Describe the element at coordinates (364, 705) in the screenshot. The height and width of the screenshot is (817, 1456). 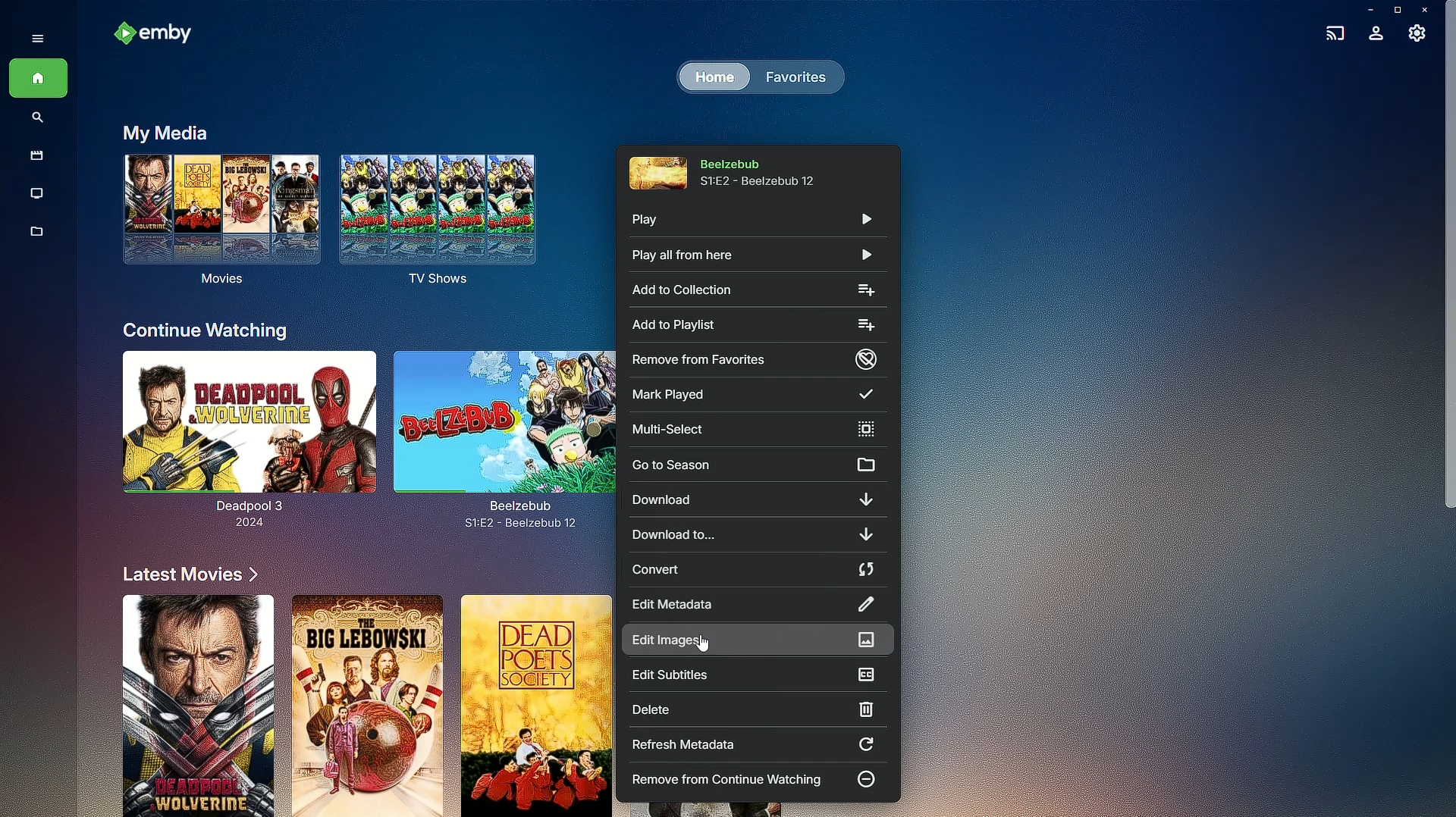
I see `` at that location.